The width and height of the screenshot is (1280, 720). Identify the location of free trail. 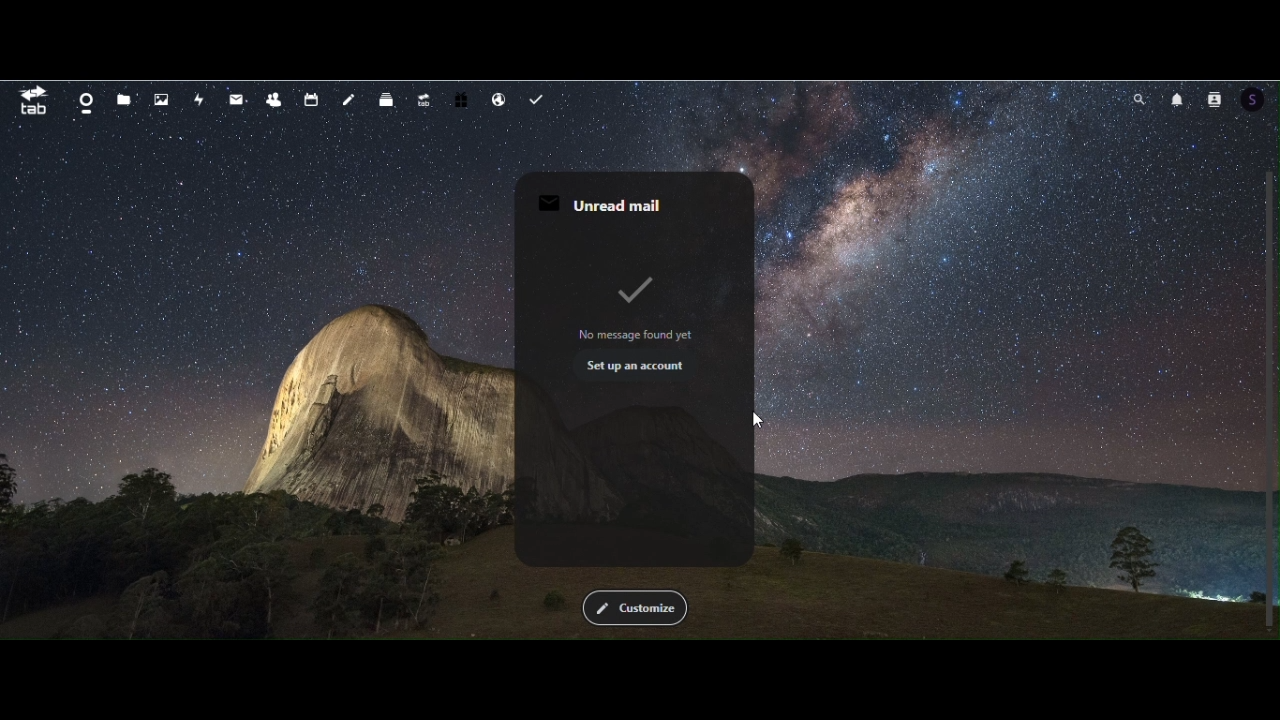
(463, 97).